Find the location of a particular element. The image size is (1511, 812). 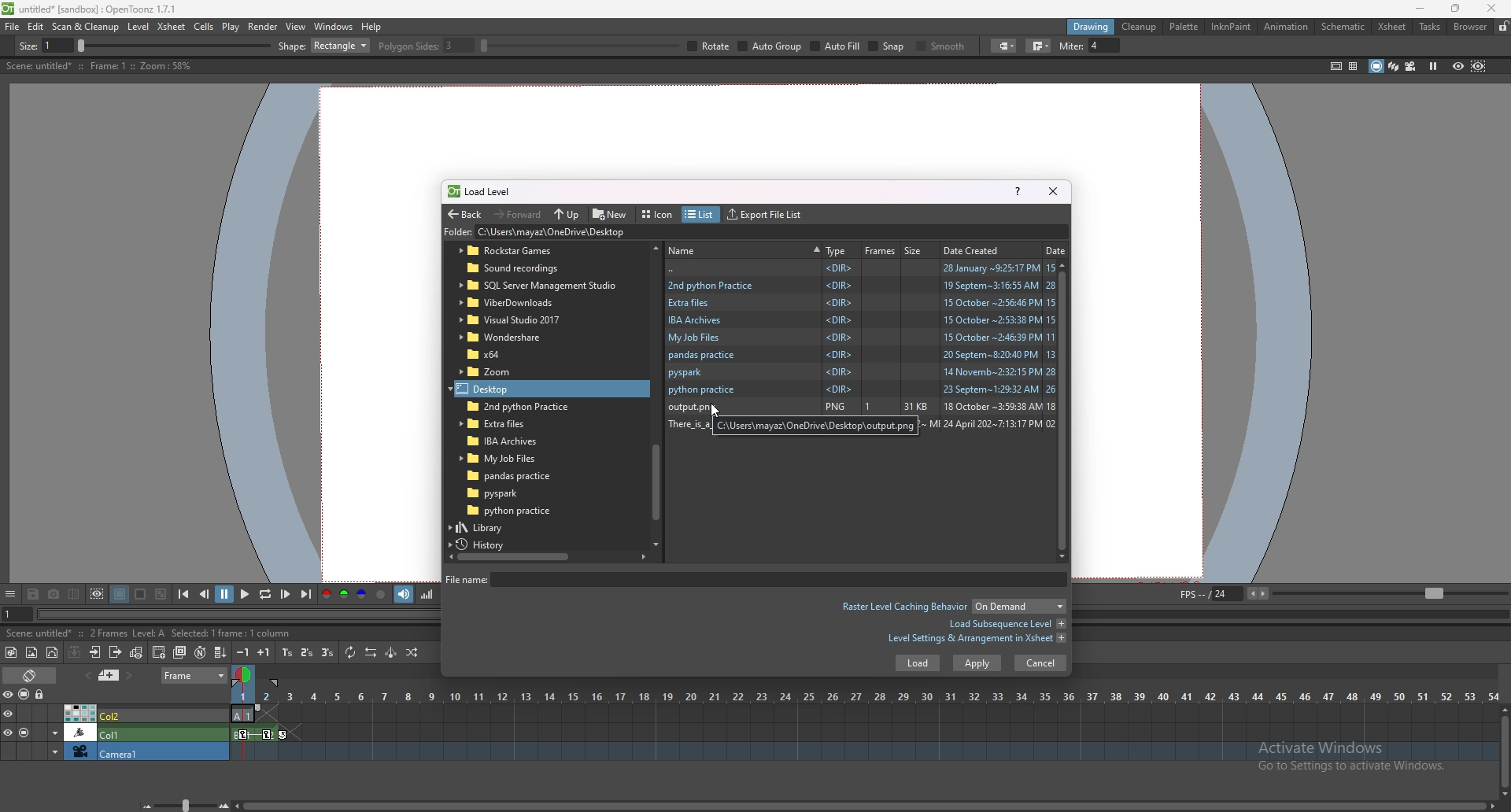

safe area is located at coordinates (1336, 65).